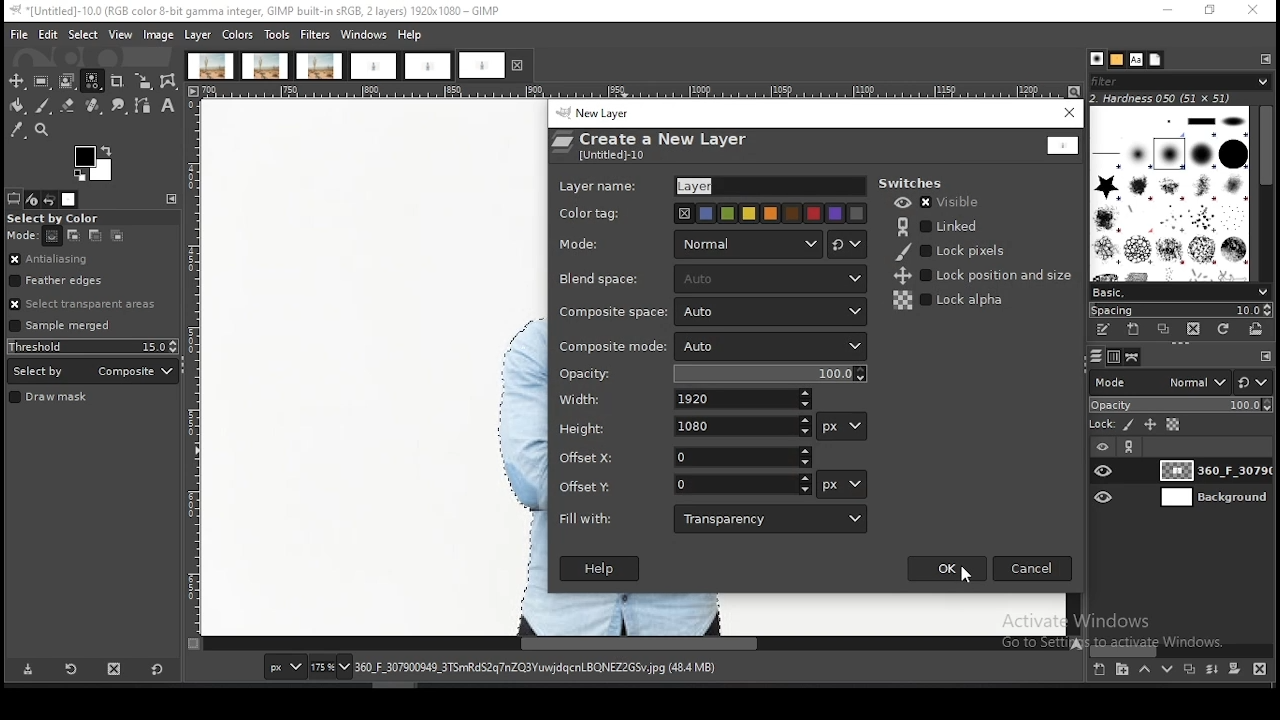 The width and height of the screenshot is (1280, 720). Describe the element at coordinates (68, 105) in the screenshot. I see `eraser tool` at that location.